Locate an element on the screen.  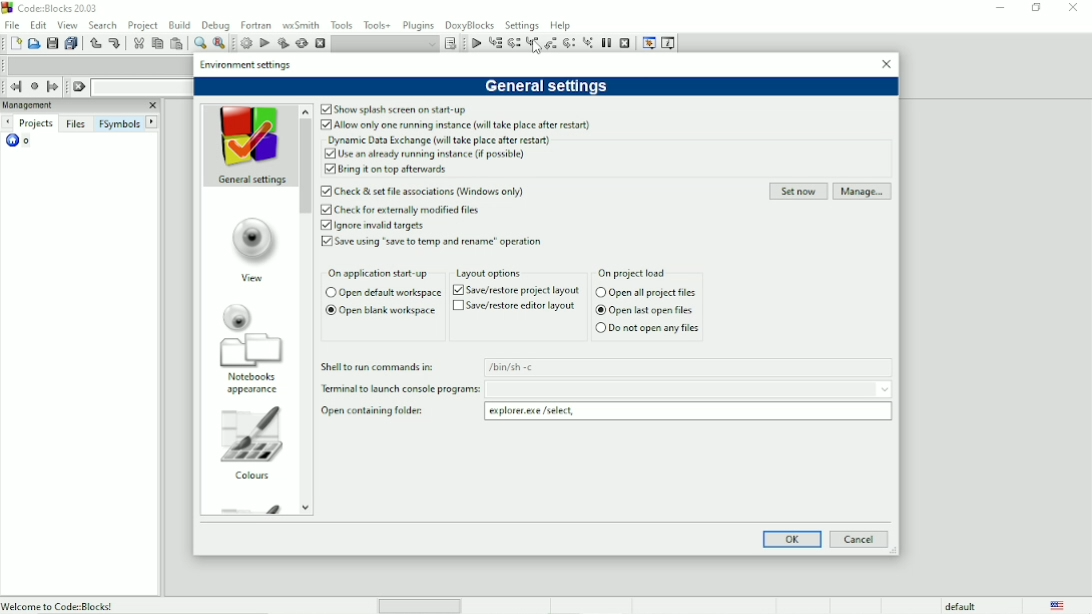
Various info is located at coordinates (669, 42).